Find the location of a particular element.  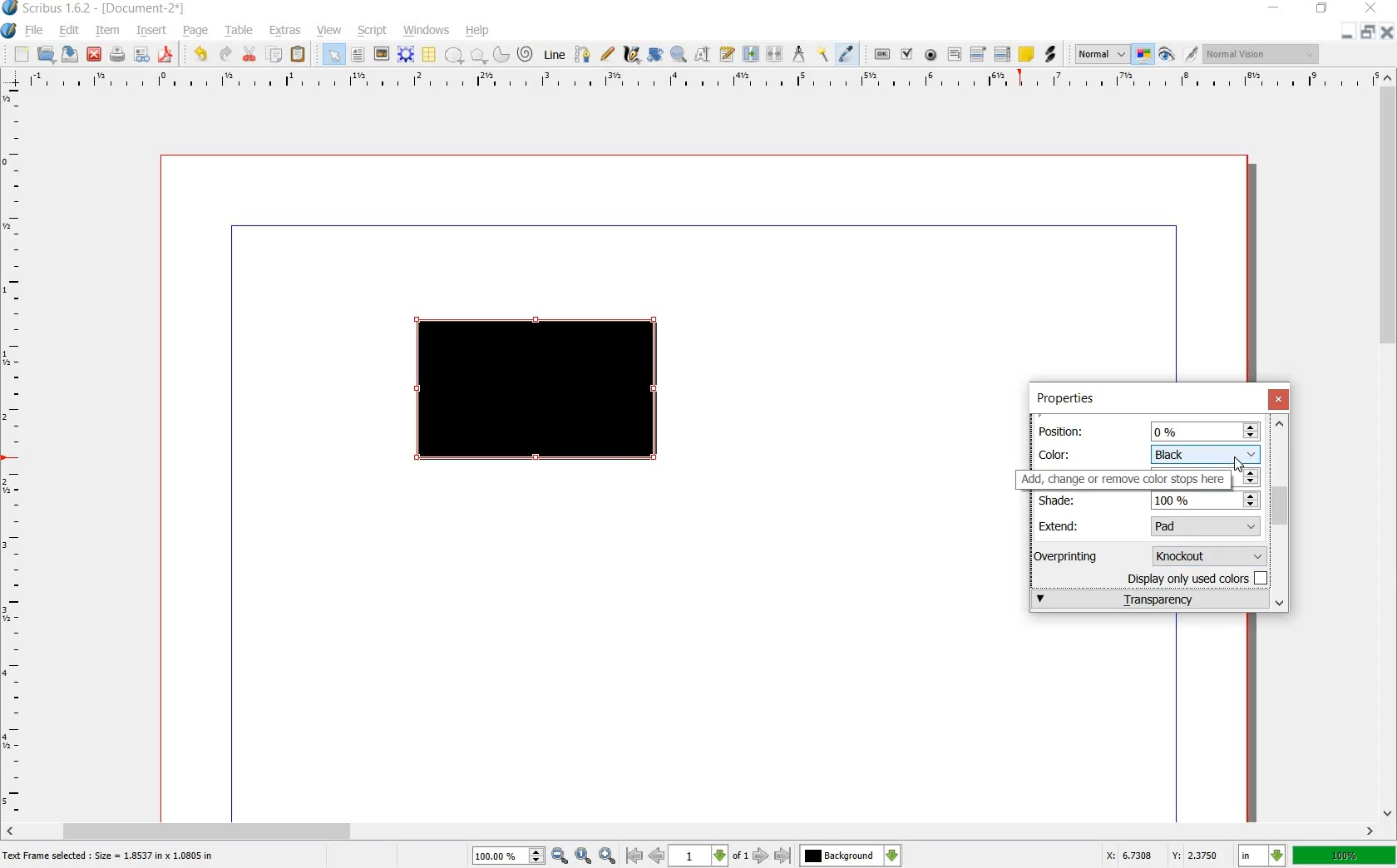

text annotation is located at coordinates (1026, 54).